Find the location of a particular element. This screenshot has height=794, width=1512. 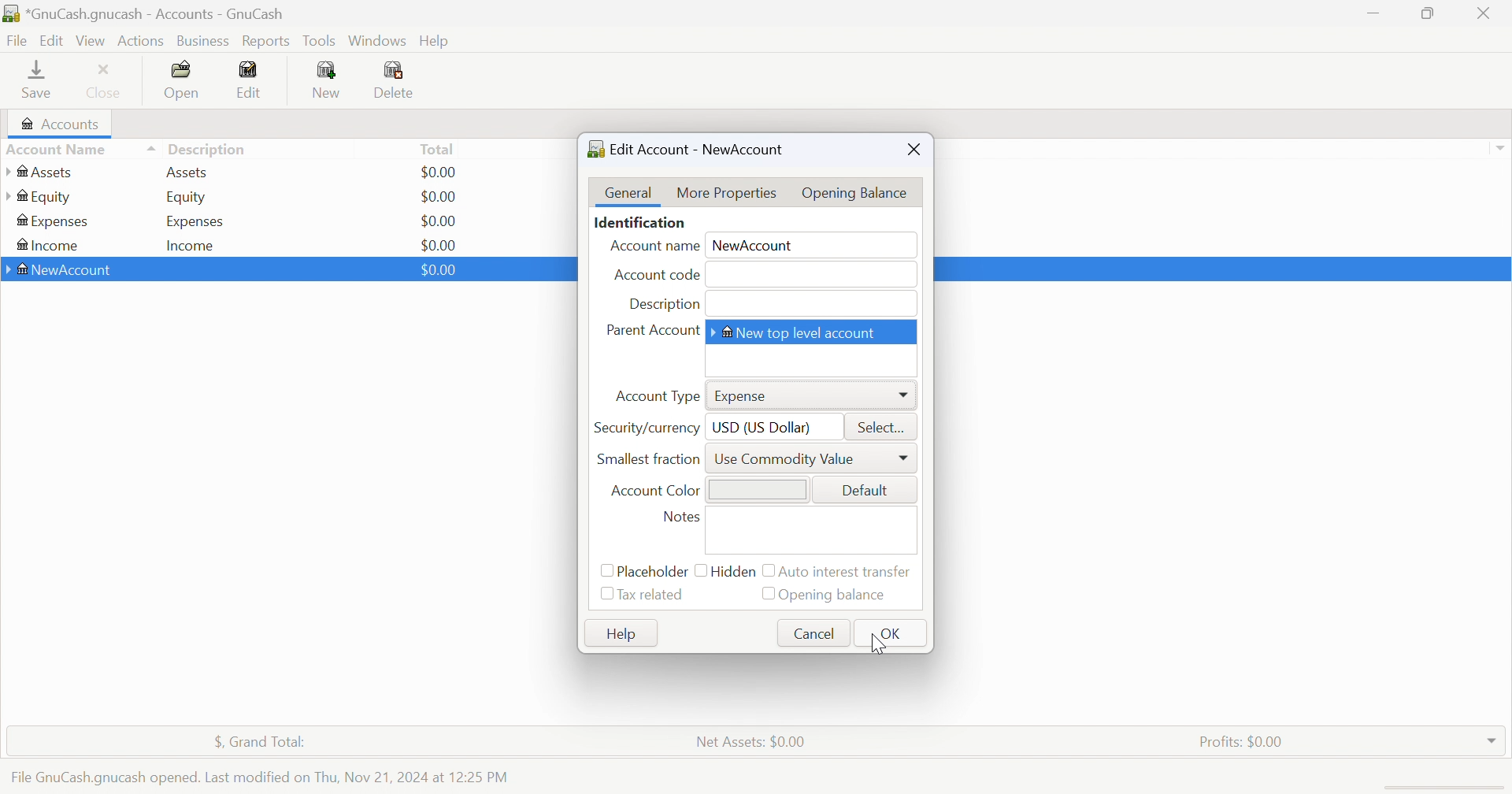

Account Type is located at coordinates (655, 398).